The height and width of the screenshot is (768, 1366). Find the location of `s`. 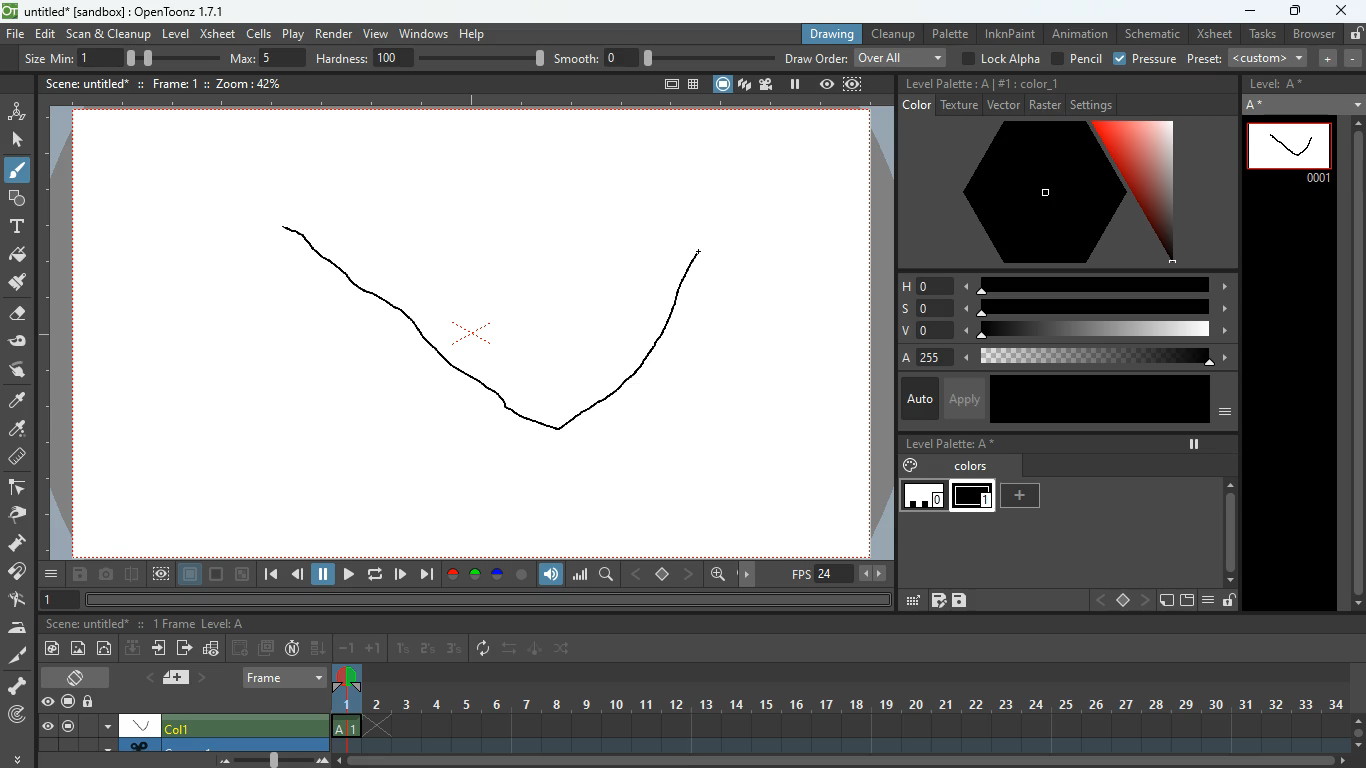

s is located at coordinates (1064, 308).